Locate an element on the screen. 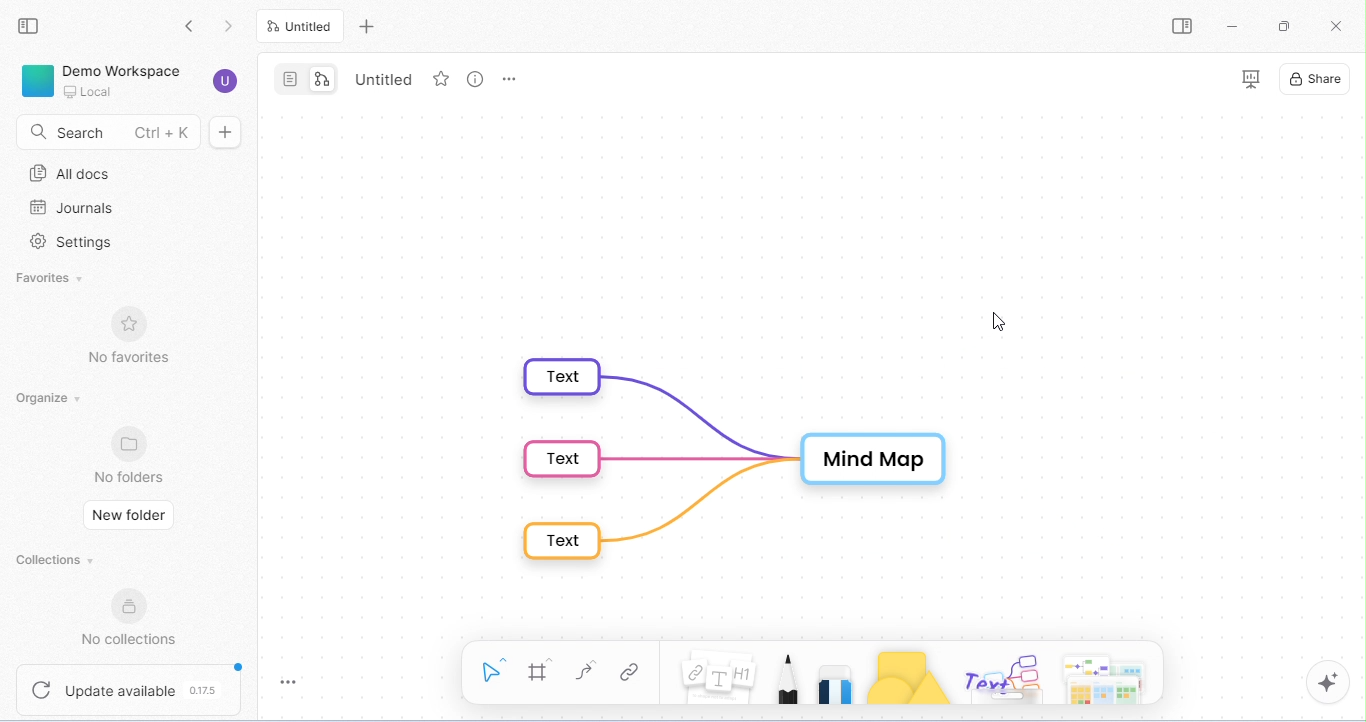 This screenshot has width=1366, height=722. edgeless mode is located at coordinates (322, 77).